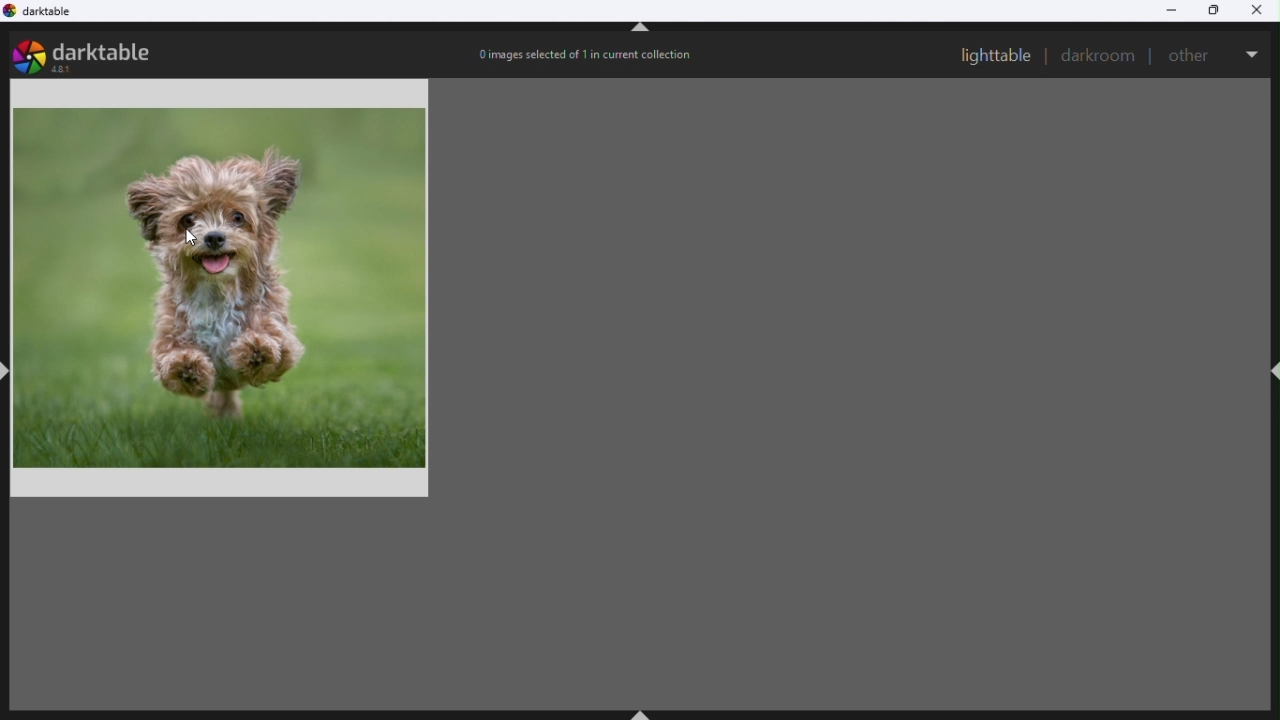  Describe the element at coordinates (1215, 11) in the screenshot. I see `Restore` at that location.